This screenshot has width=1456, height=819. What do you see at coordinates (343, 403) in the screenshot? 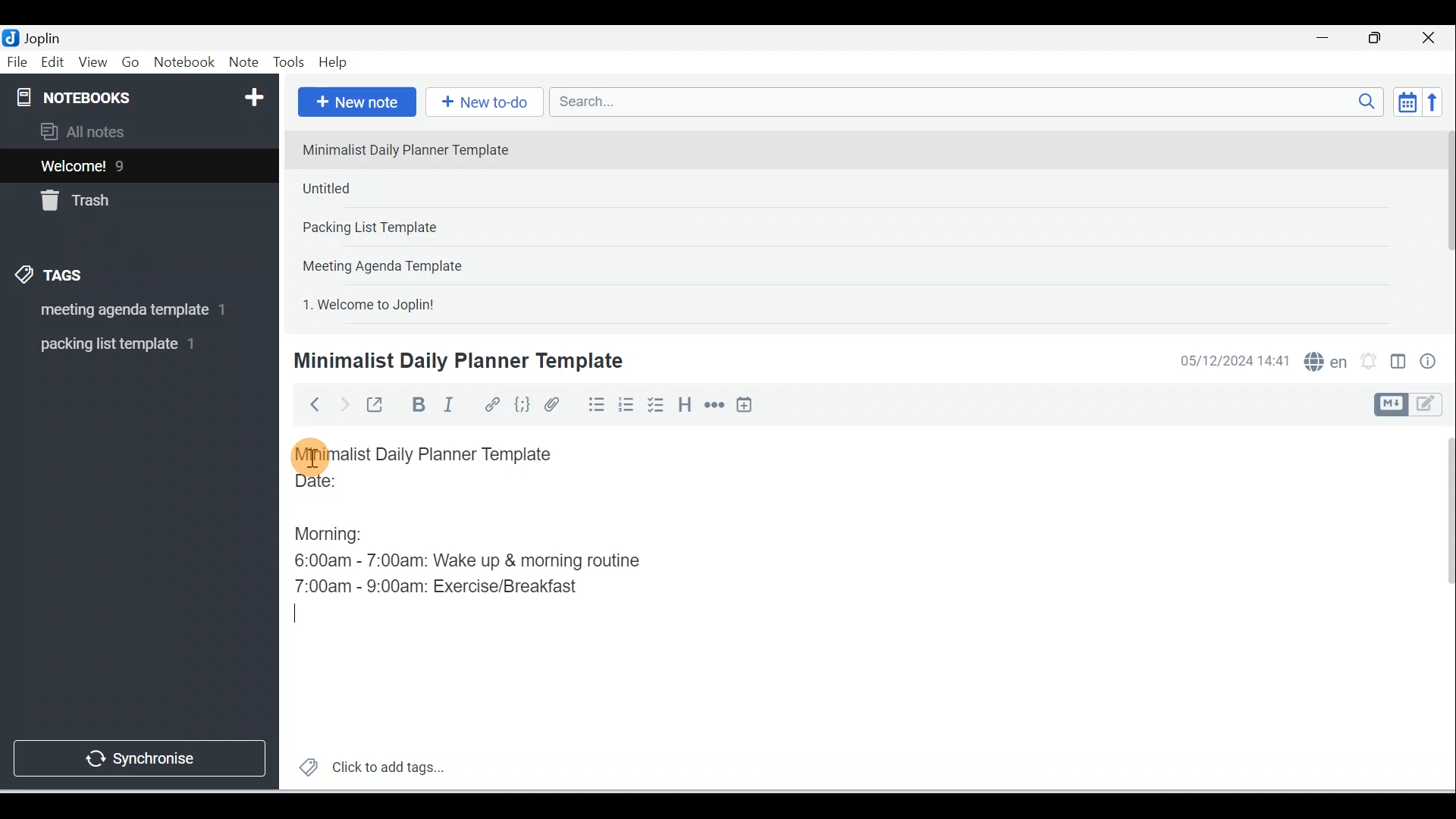
I see `Forward` at bounding box center [343, 403].